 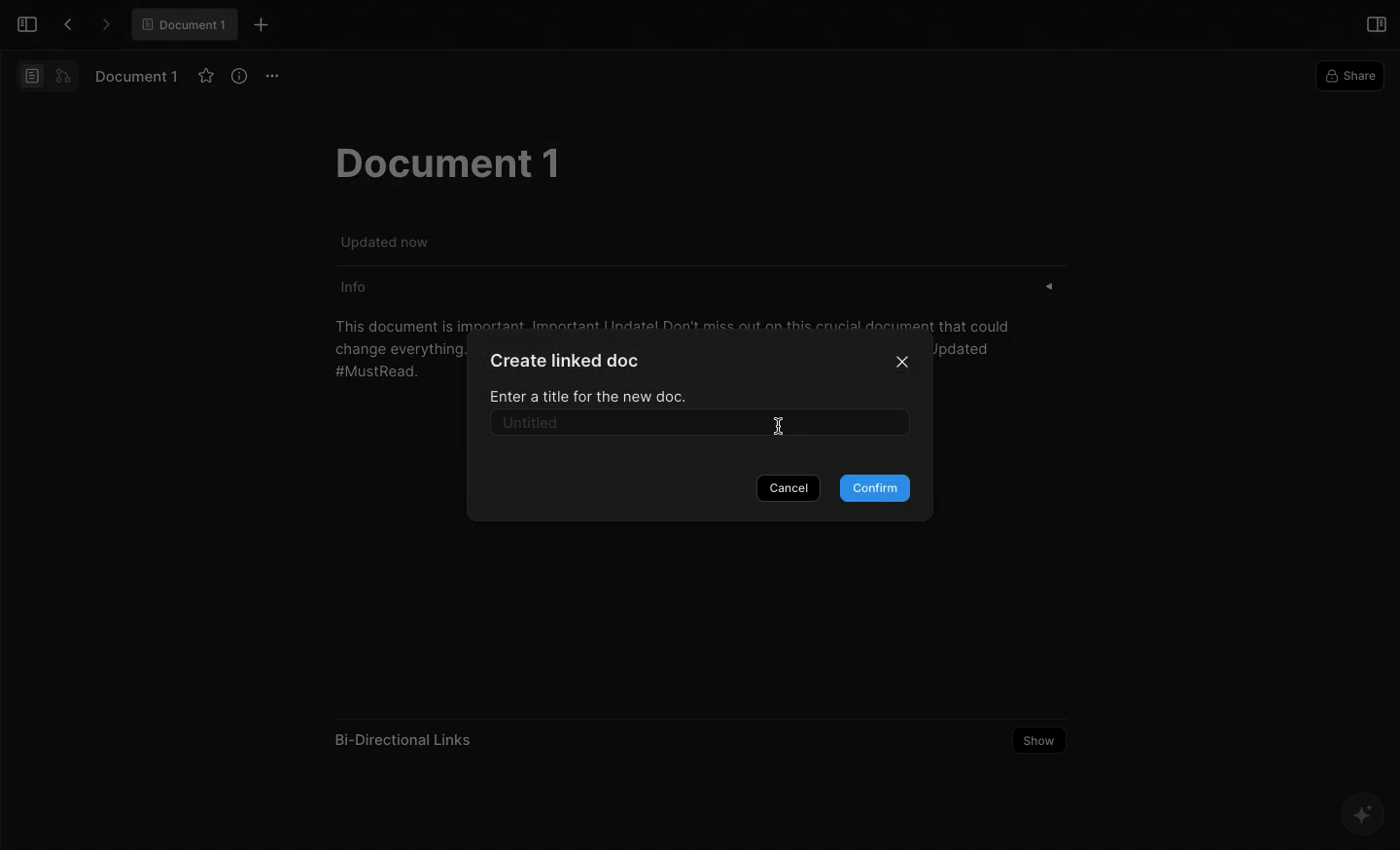 What do you see at coordinates (568, 361) in the screenshot?
I see `Create linked doc` at bounding box center [568, 361].